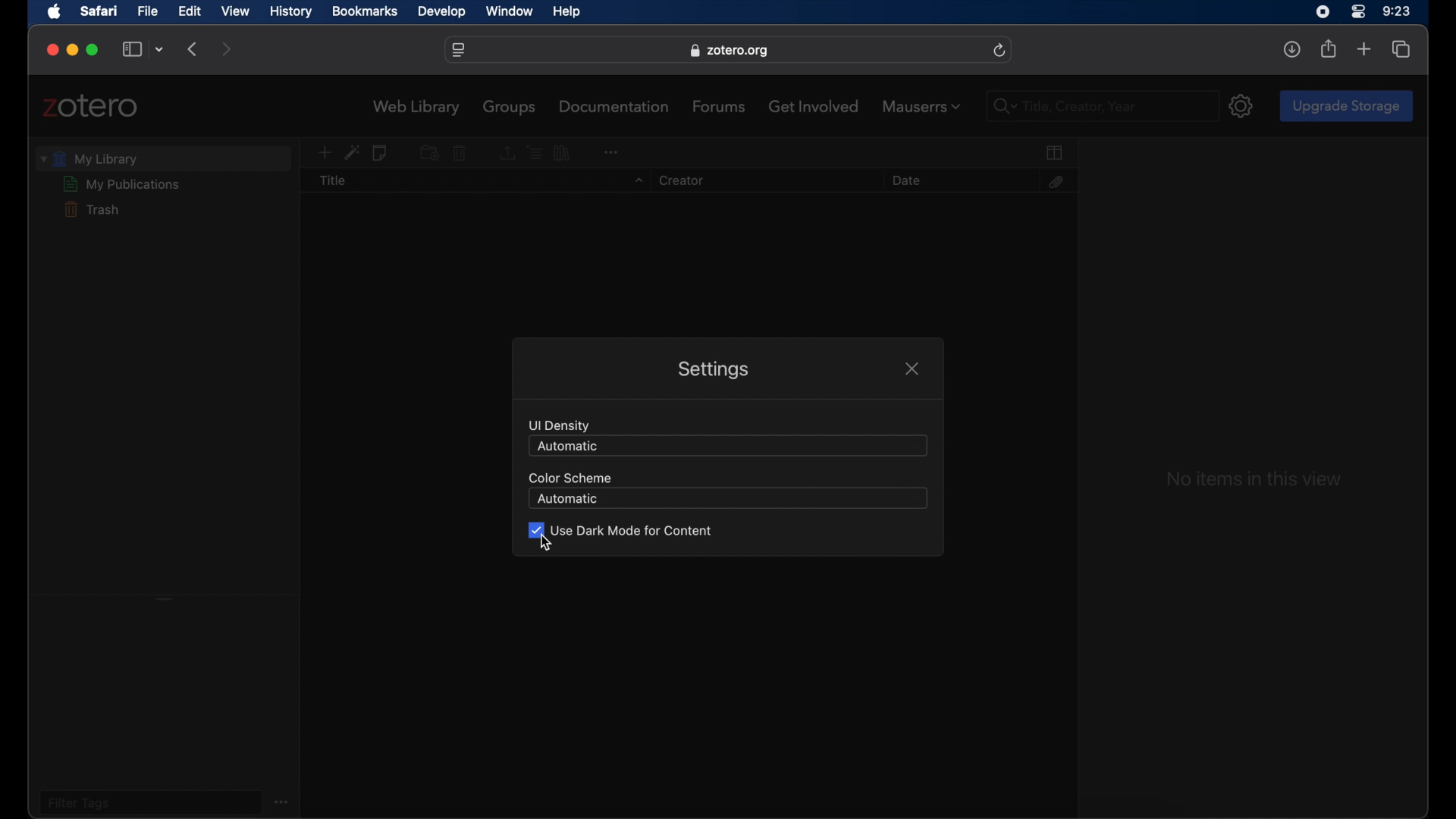  What do you see at coordinates (90, 209) in the screenshot?
I see `trash` at bounding box center [90, 209].